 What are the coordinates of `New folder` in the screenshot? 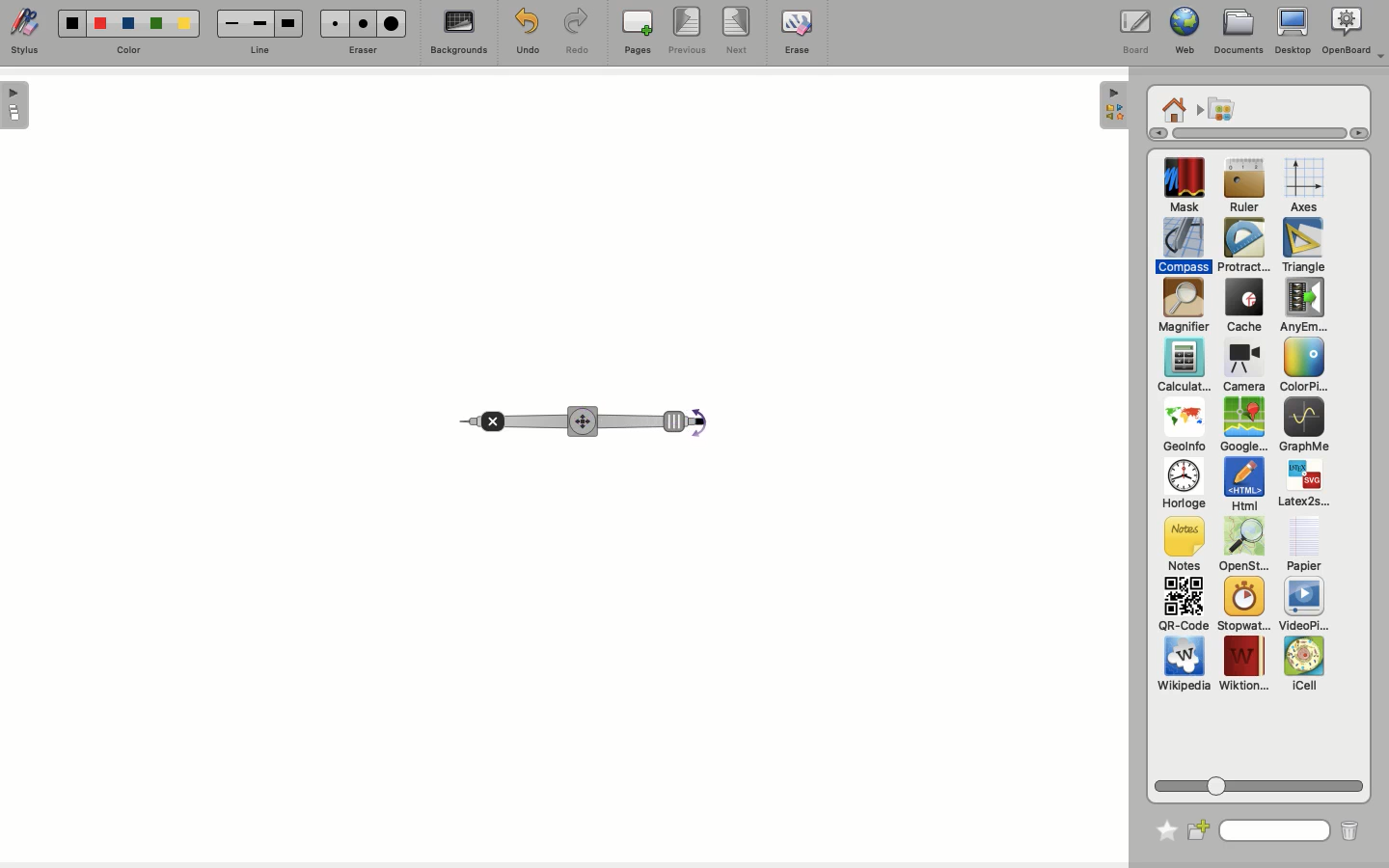 It's located at (1200, 828).